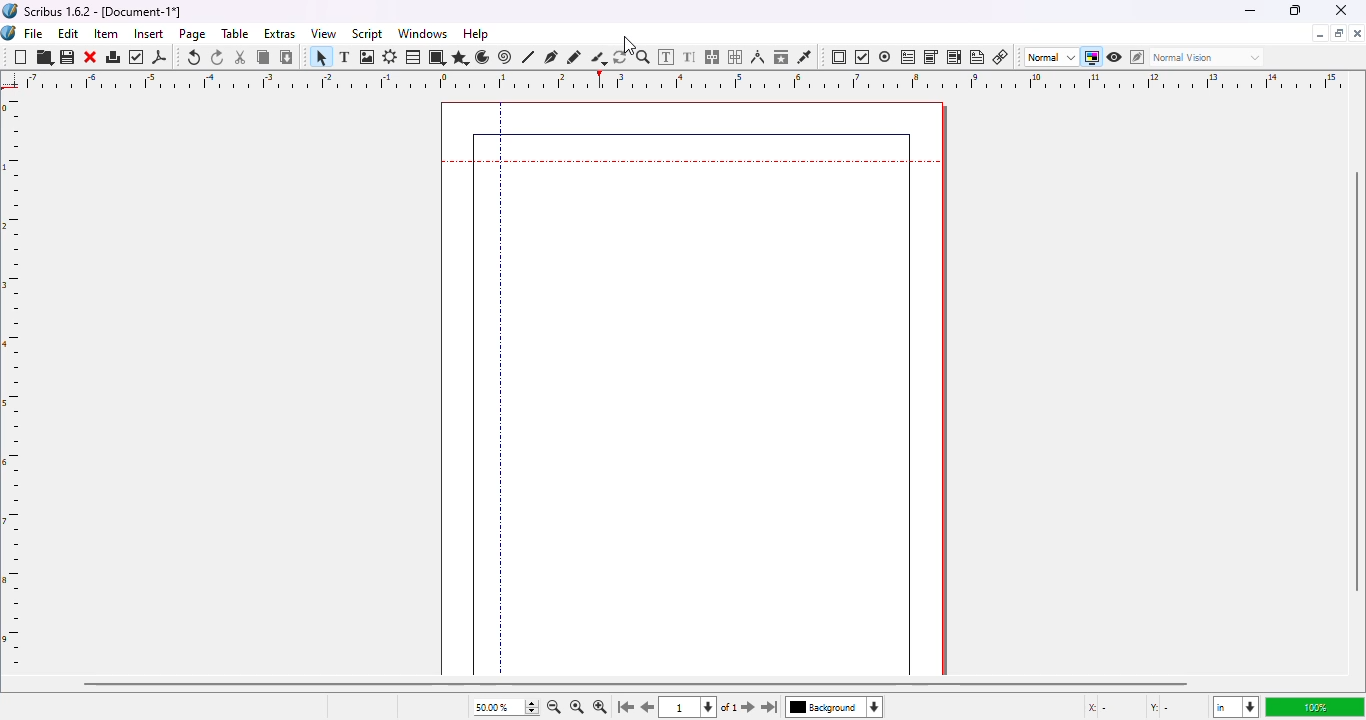 The width and height of the screenshot is (1366, 720). Describe the element at coordinates (440, 57) in the screenshot. I see `shape` at that location.